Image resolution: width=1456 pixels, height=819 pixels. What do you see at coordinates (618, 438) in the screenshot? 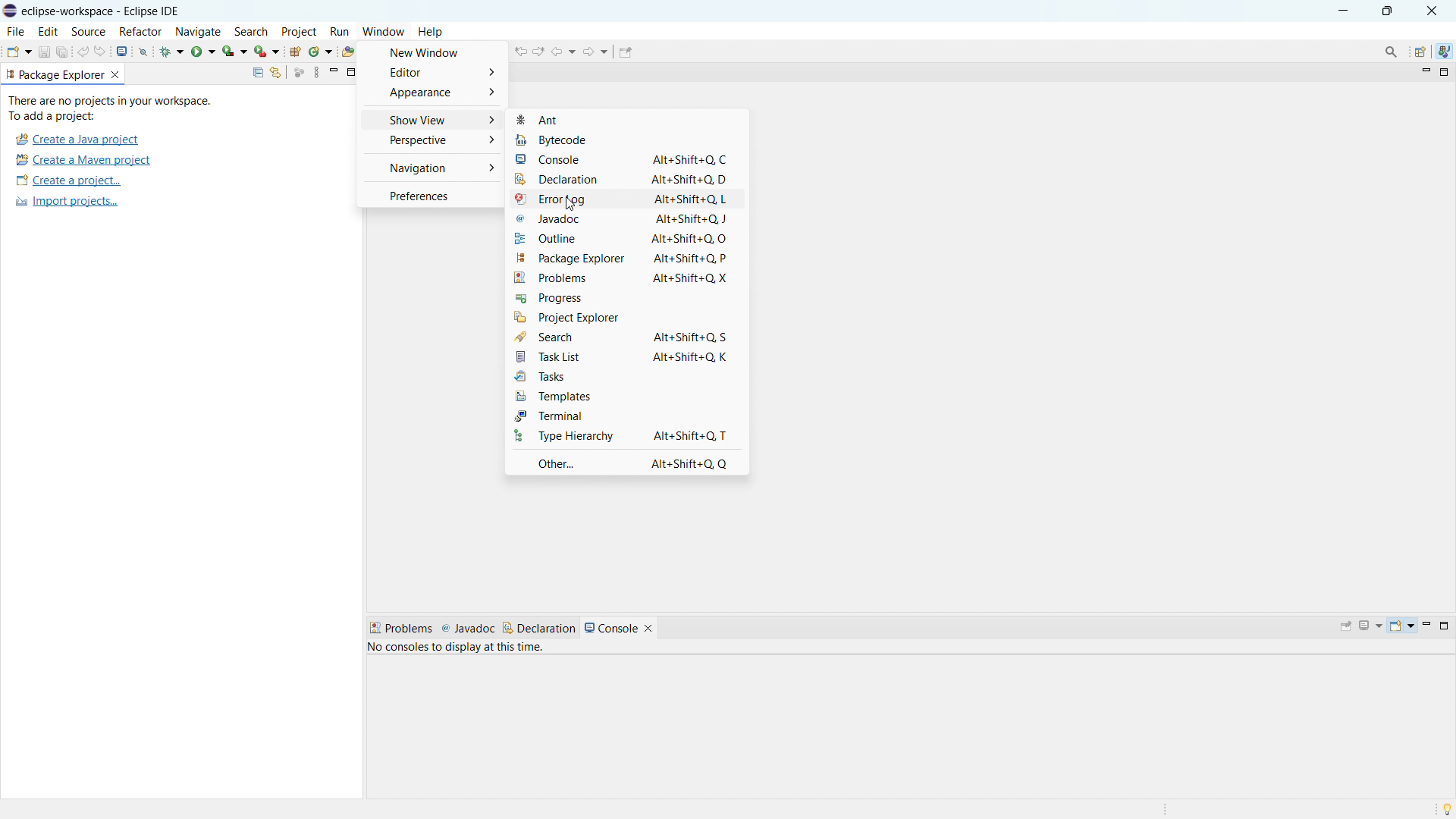
I see `Type Hierachy  Alt+Shift+Q, T` at bounding box center [618, 438].